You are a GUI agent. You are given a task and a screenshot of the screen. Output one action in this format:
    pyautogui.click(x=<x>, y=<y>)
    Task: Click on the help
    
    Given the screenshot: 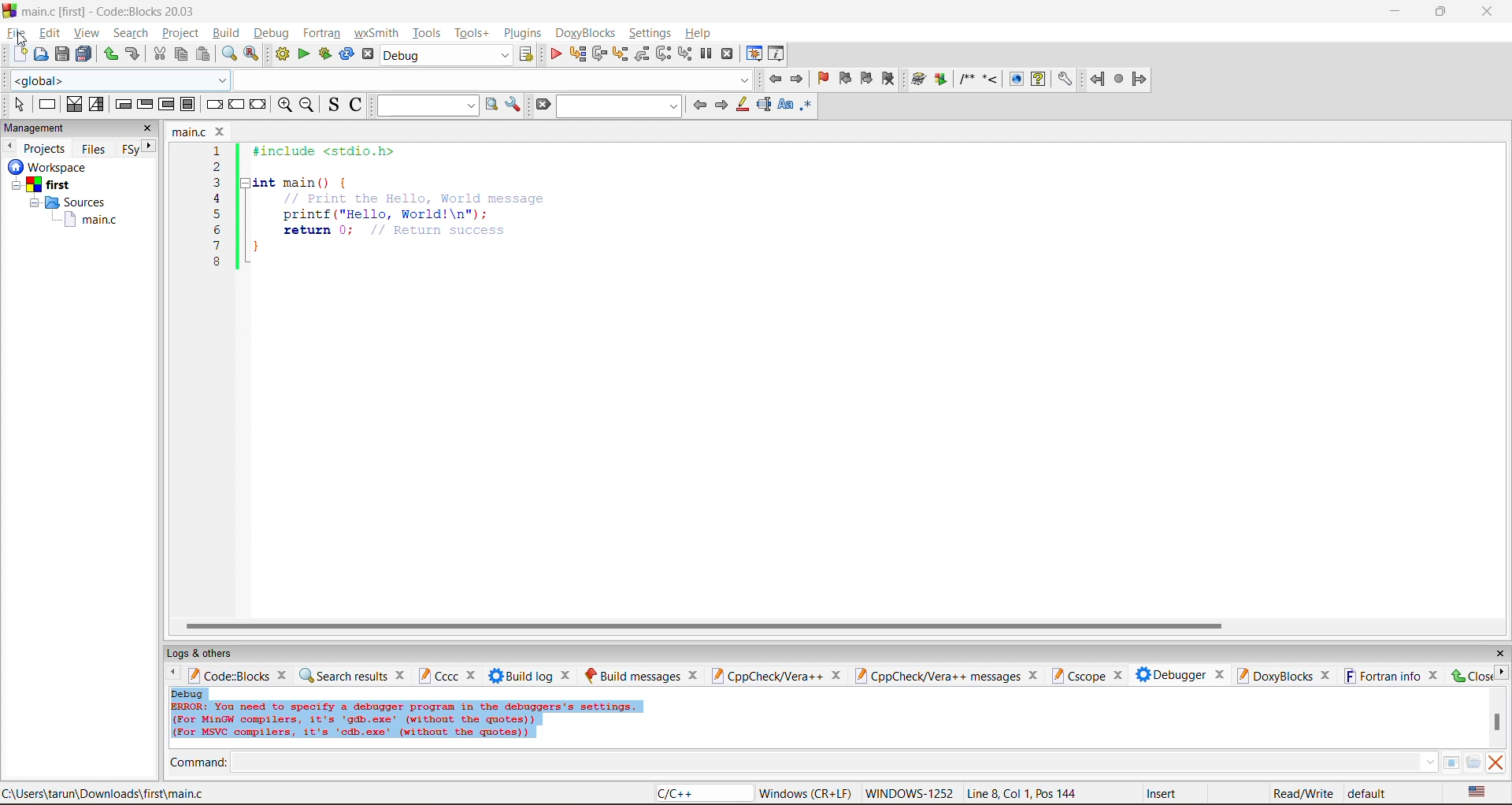 What is the action you would take?
    pyautogui.click(x=700, y=33)
    